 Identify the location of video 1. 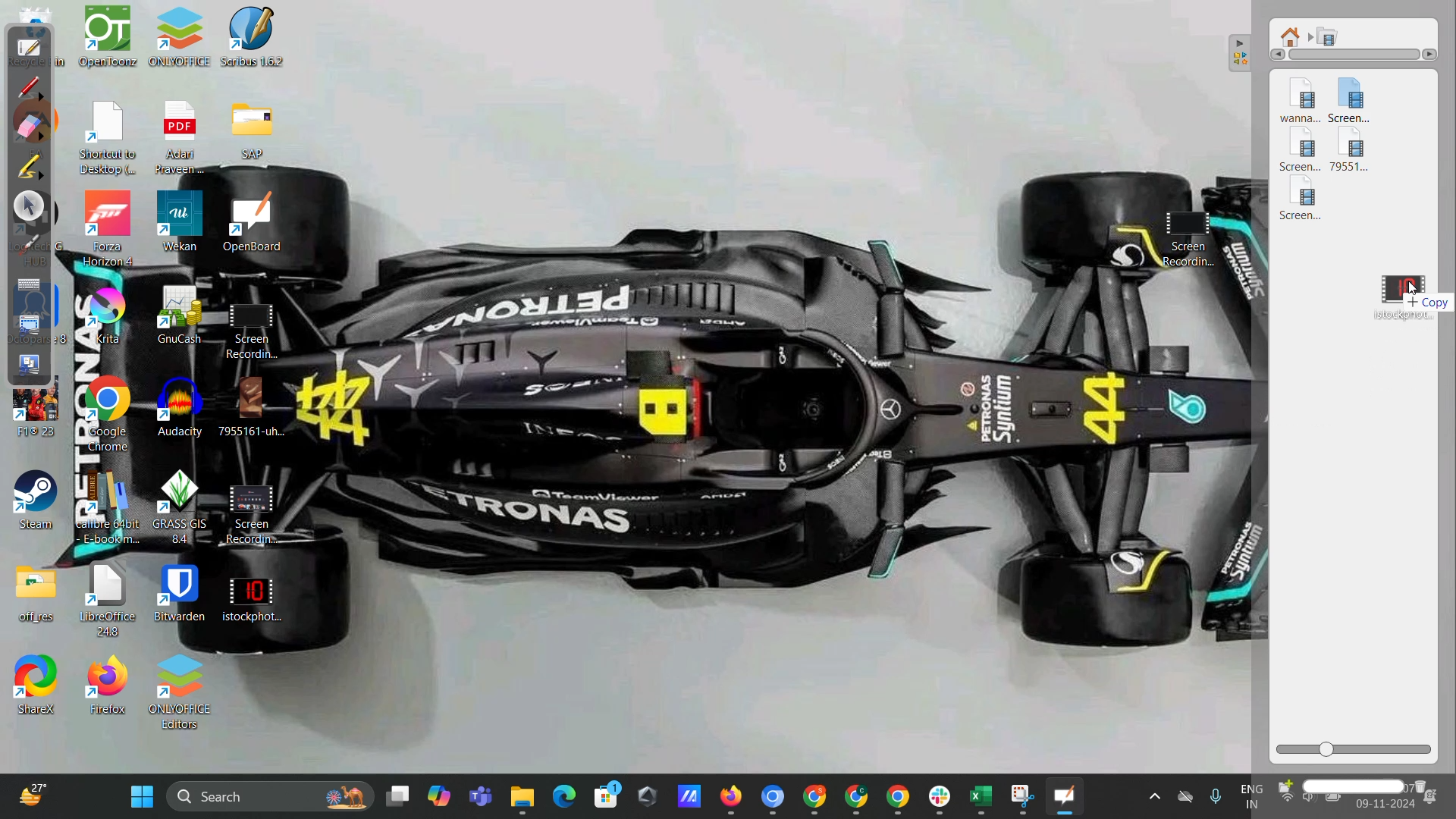
(1299, 100).